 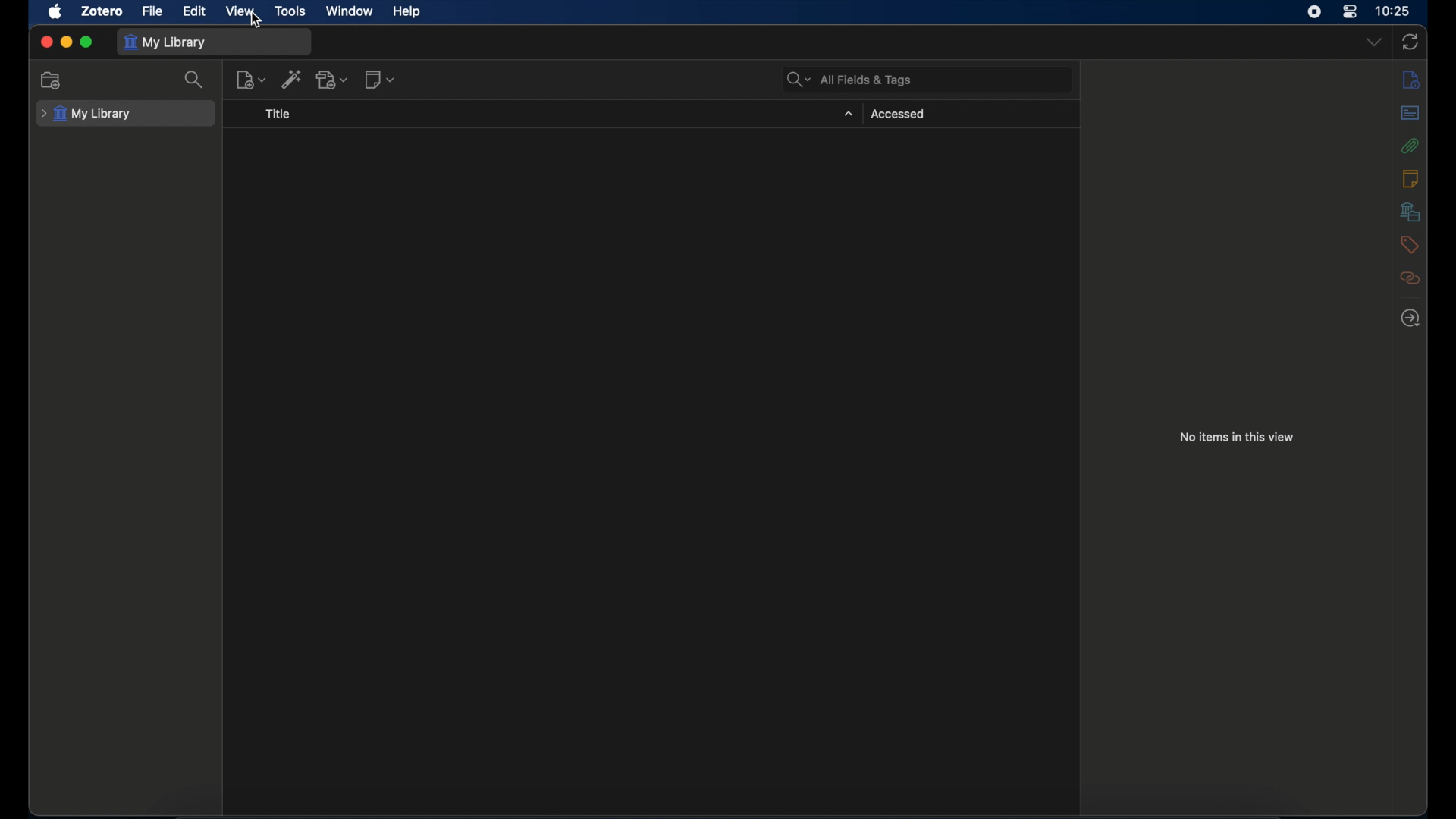 What do you see at coordinates (1348, 11) in the screenshot?
I see `control center` at bounding box center [1348, 11].